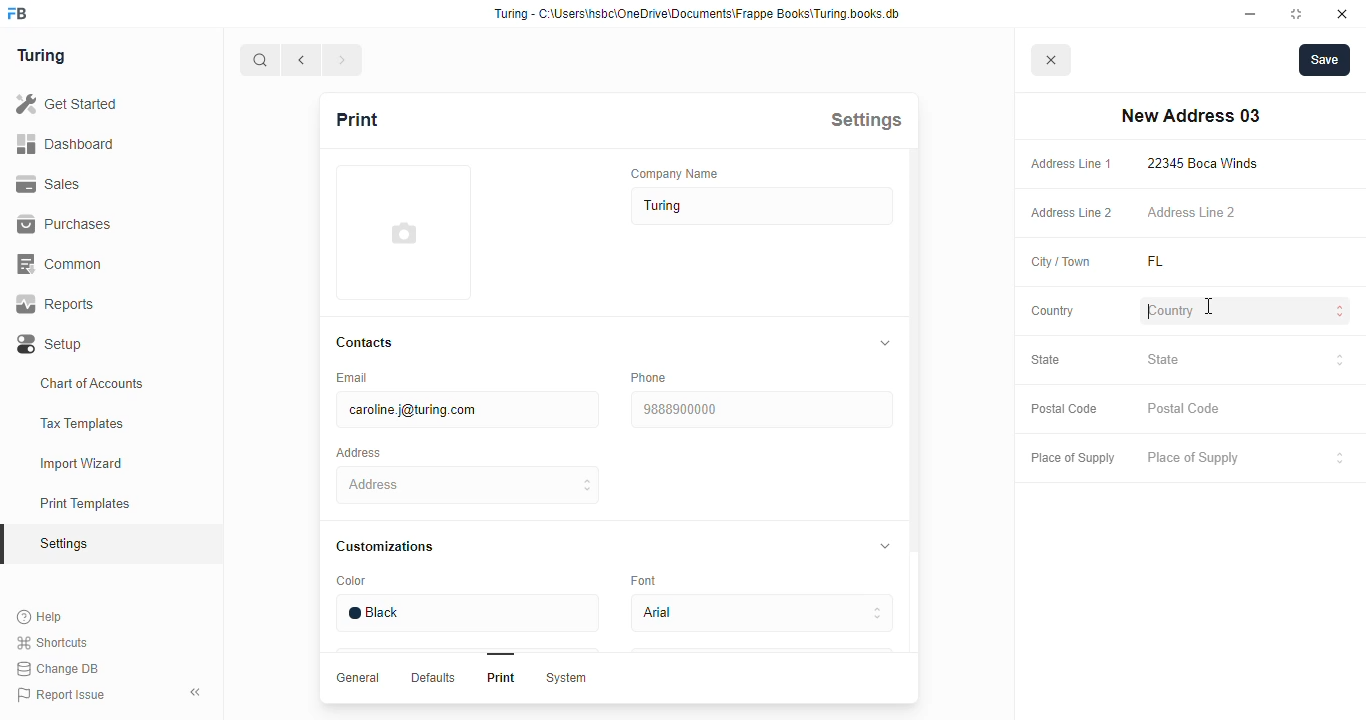  I want to click on country, so click(1053, 311).